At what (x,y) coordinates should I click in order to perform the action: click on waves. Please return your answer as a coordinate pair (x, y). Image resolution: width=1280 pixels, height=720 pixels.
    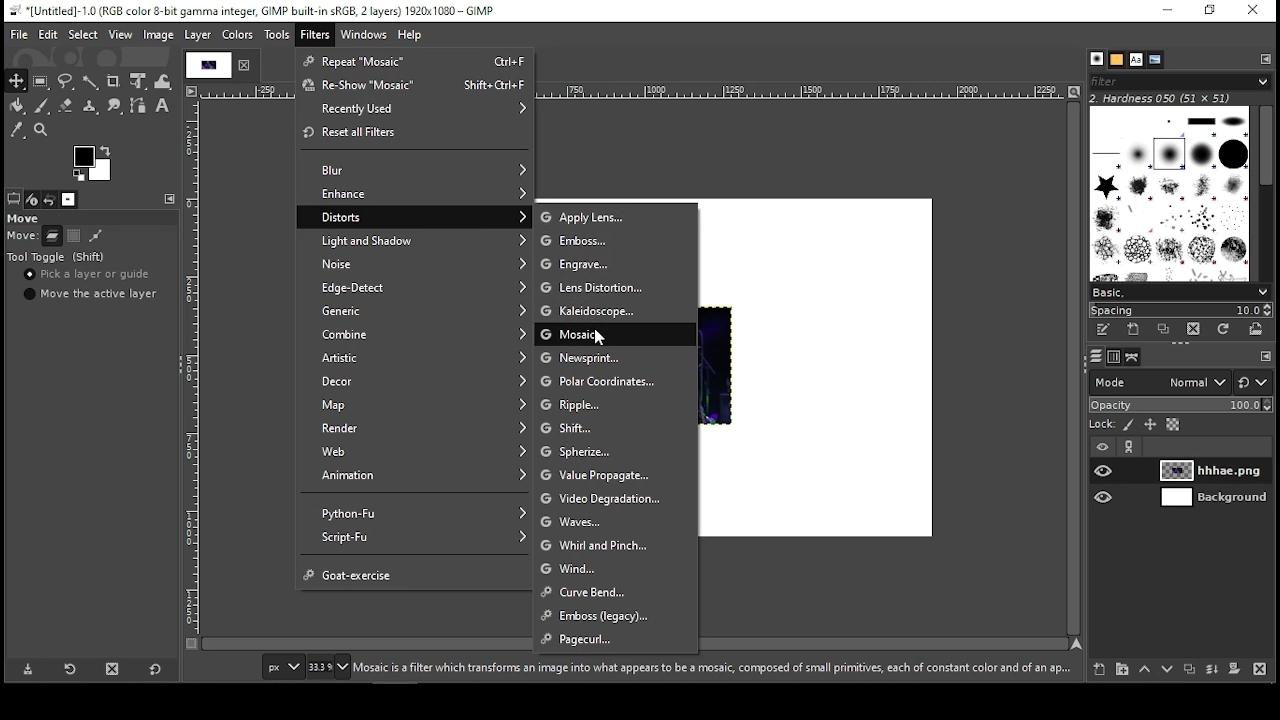
    Looking at the image, I should click on (615, 525).